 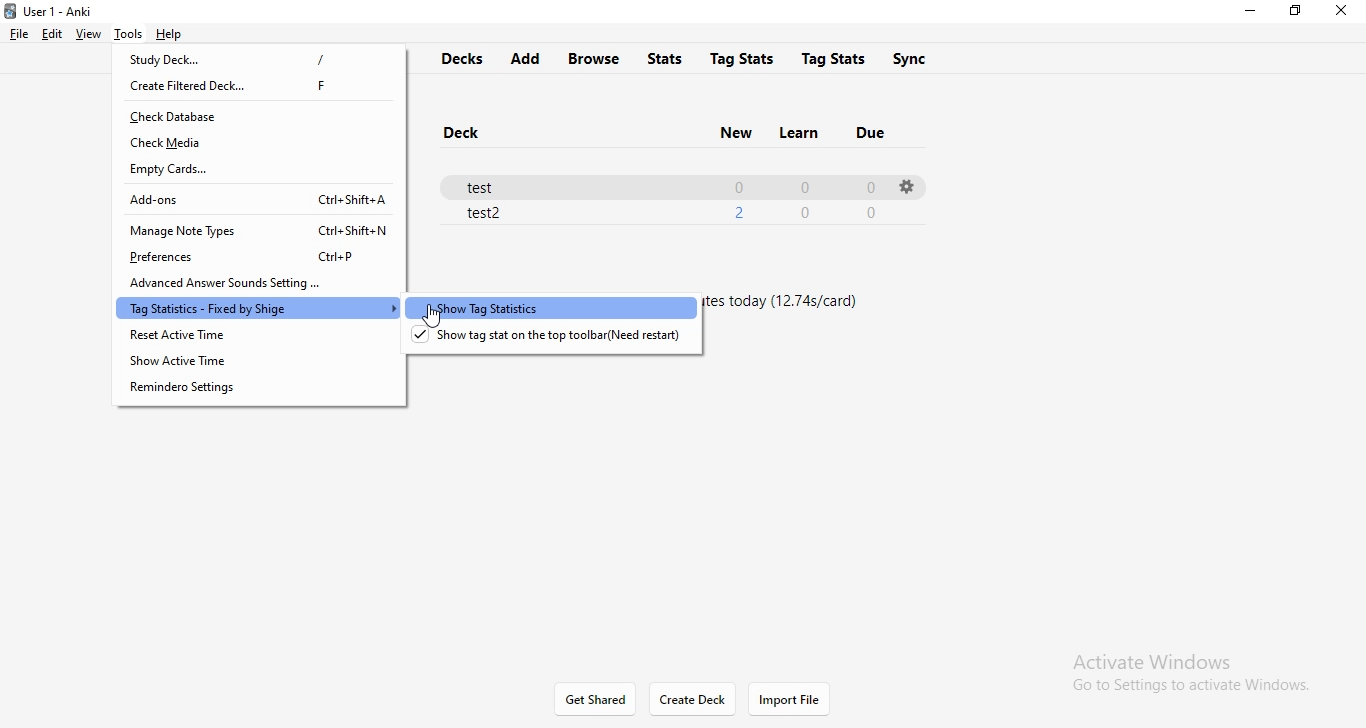 I want to click on check media, so click(x=253, y=142).